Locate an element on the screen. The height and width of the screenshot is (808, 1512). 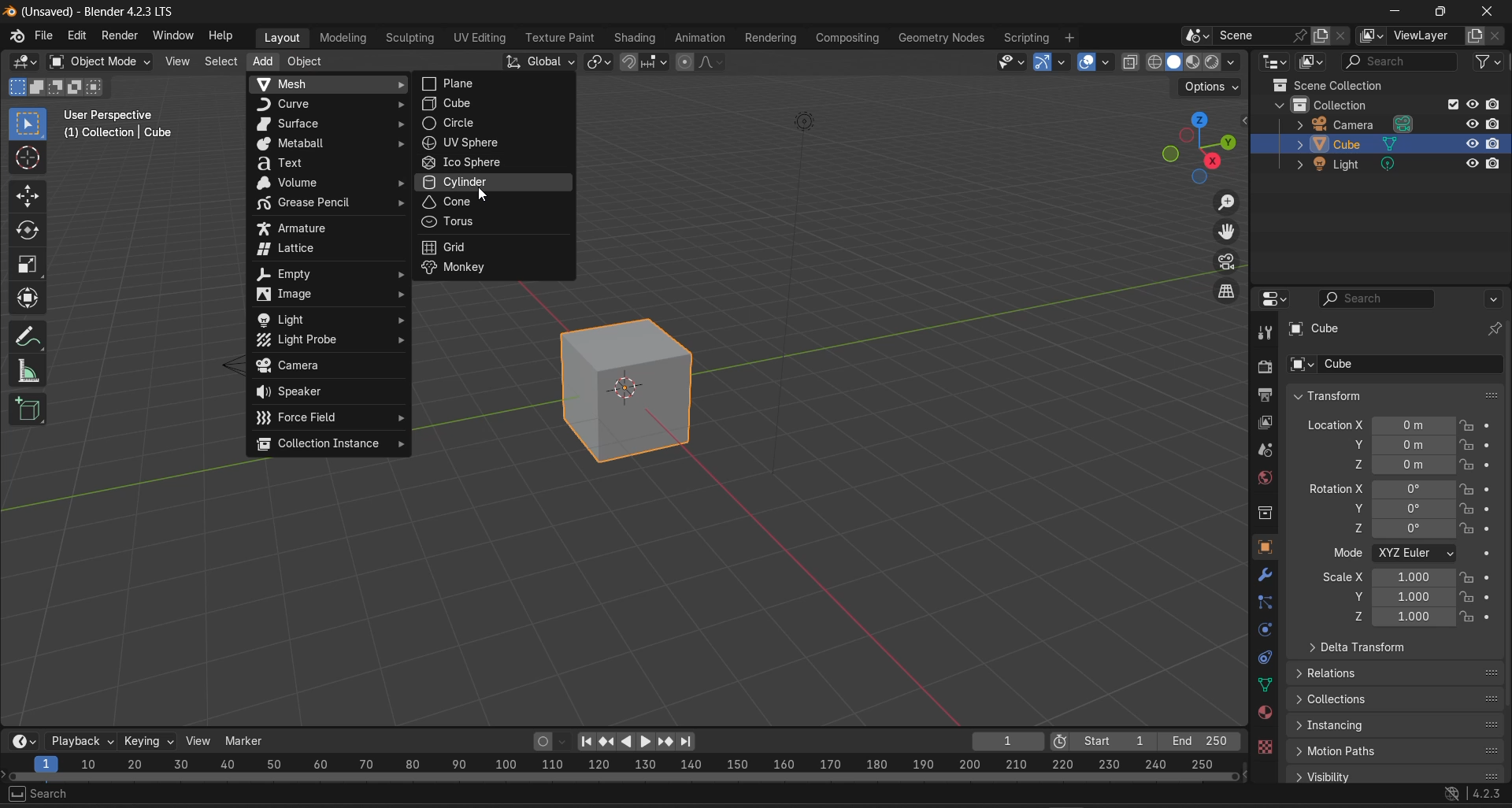
instancing is located at coordinates (1397, 725).